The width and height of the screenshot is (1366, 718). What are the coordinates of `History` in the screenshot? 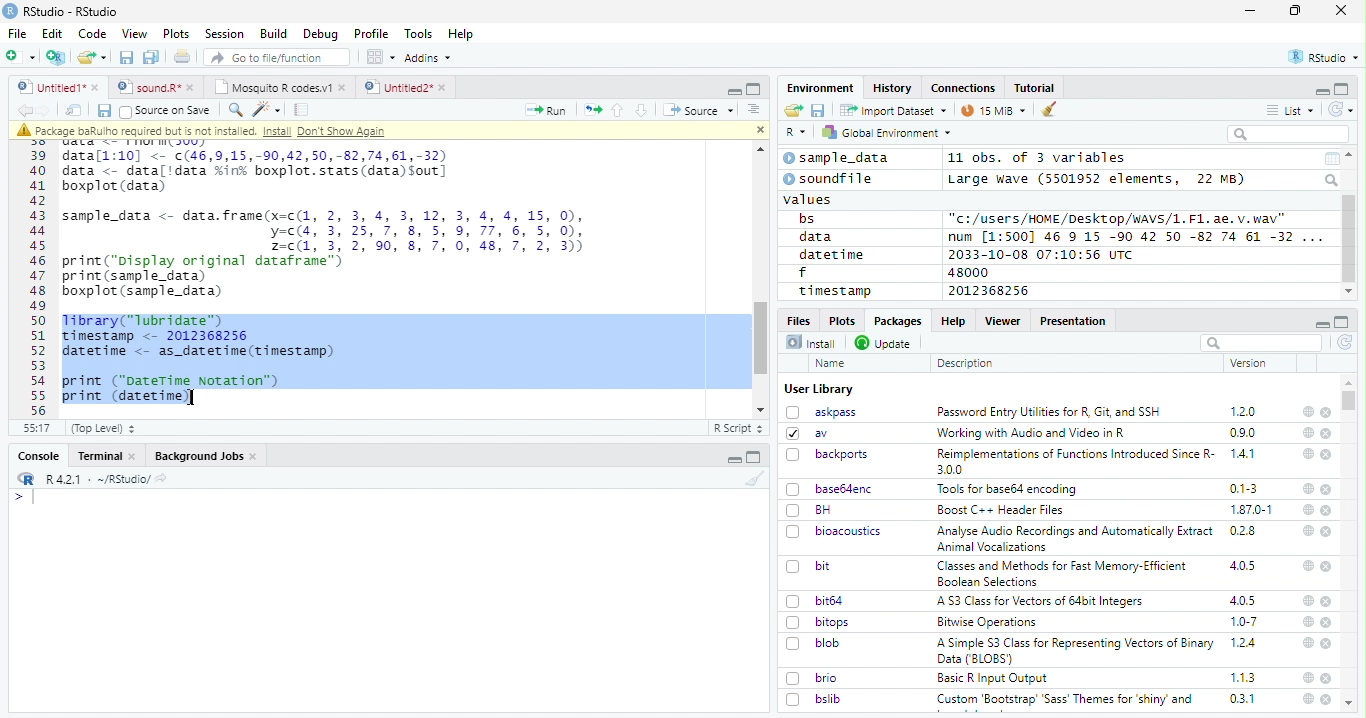 It's located at (893, 88).